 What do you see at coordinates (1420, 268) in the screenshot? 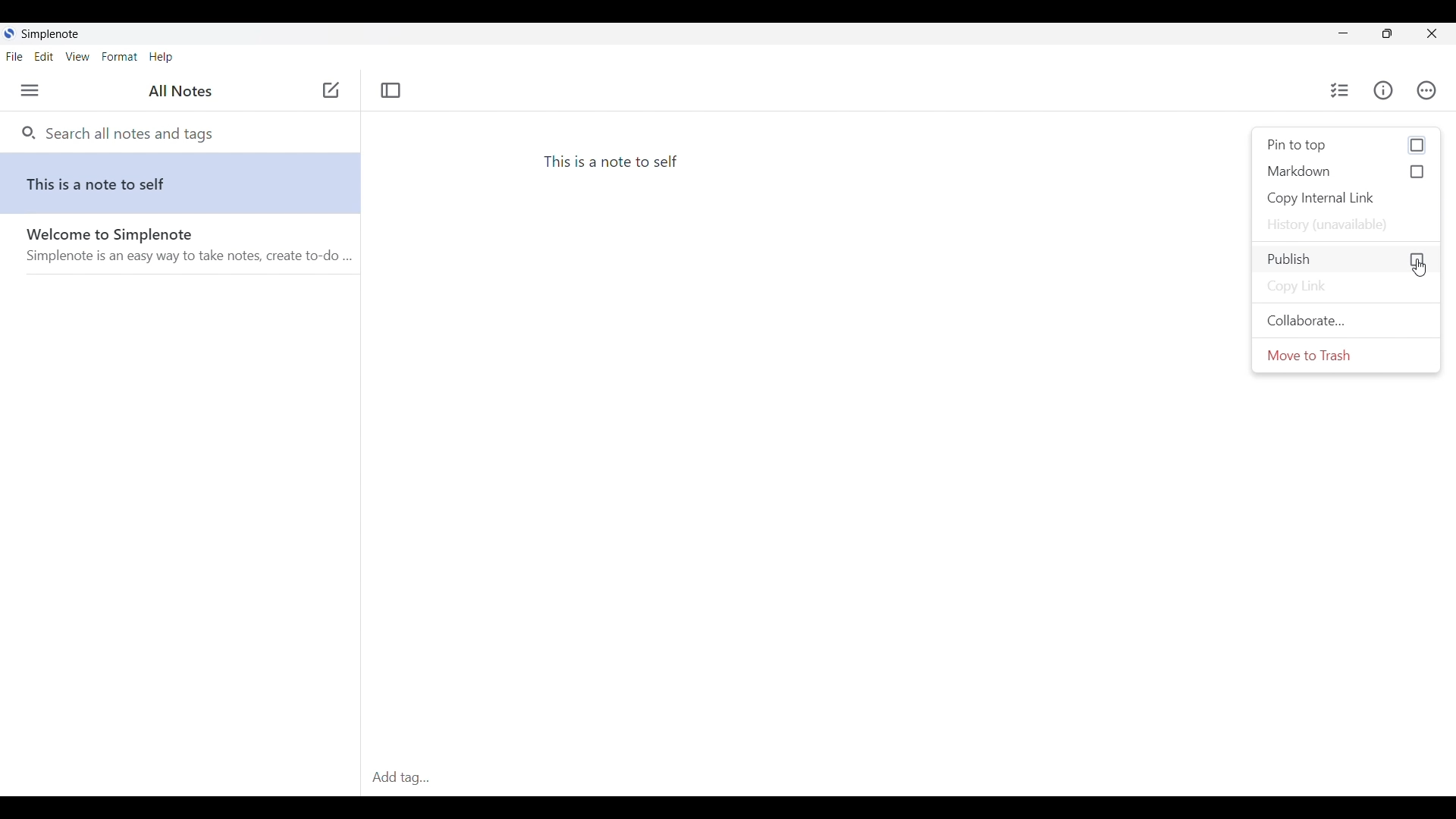
I see `Cursor` at bounding box center [1420, 268].